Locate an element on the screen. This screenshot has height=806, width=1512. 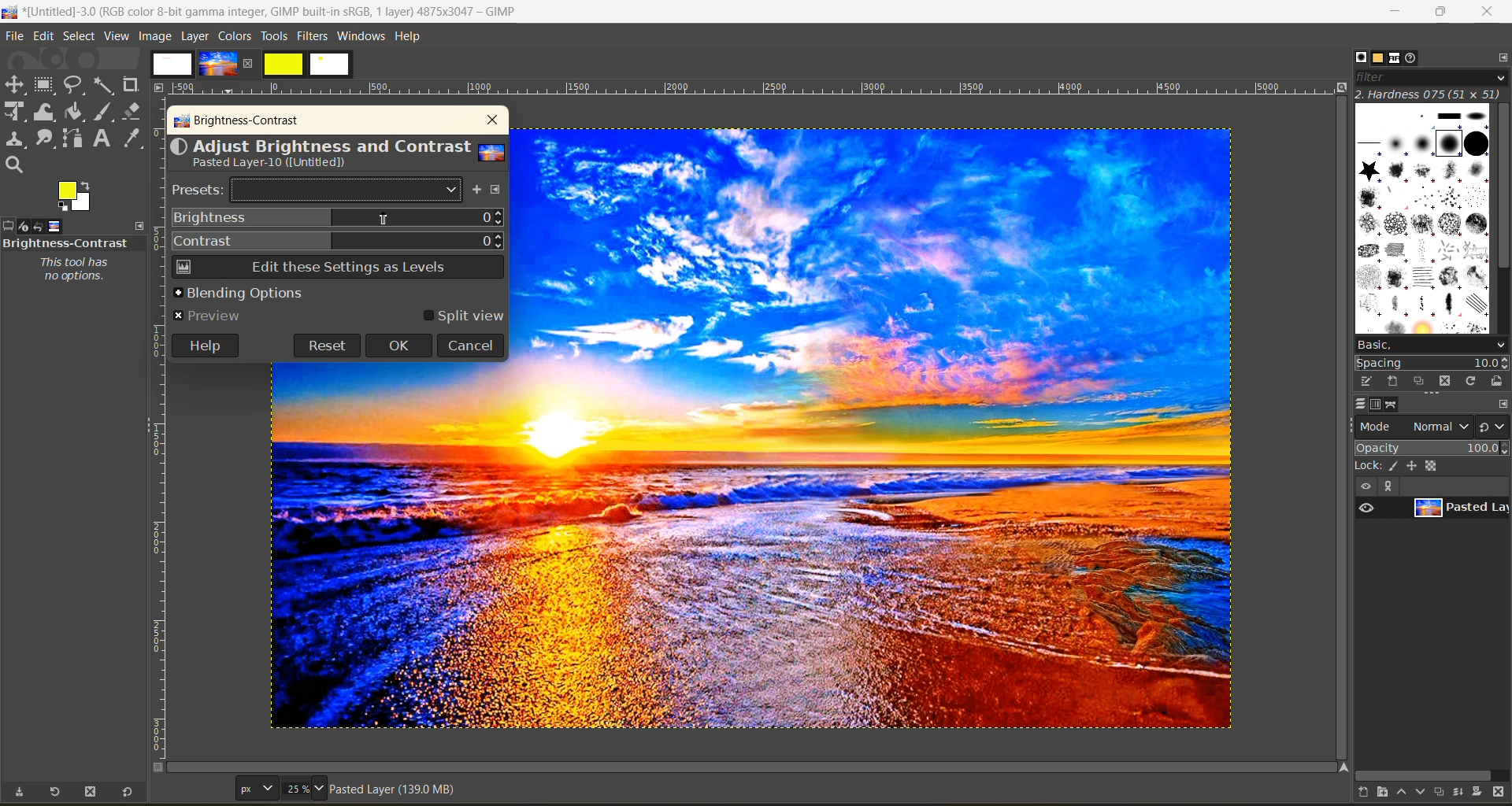
add a mask is located at coordinates (1482, 794).